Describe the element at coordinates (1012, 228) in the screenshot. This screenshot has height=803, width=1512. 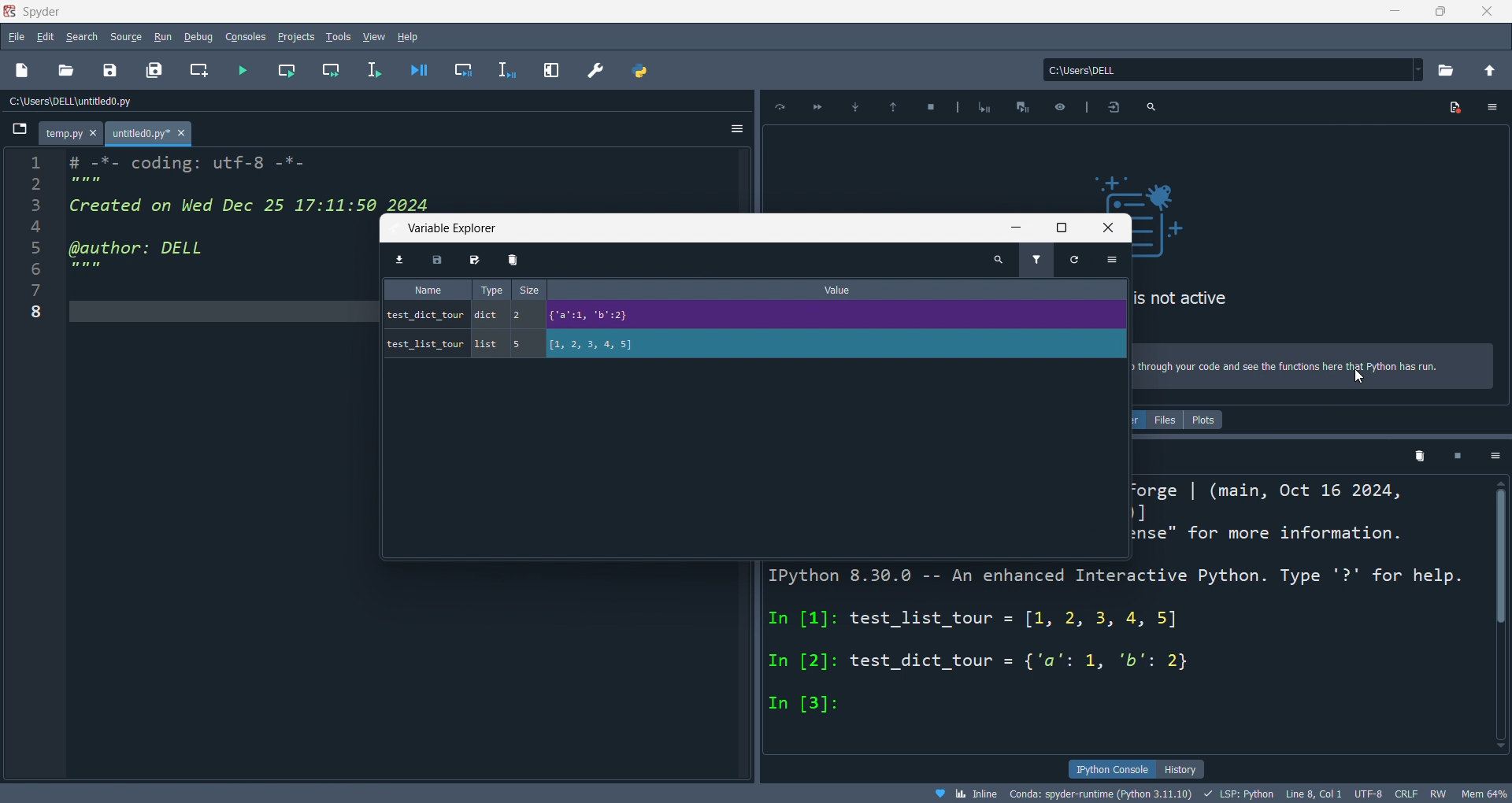
I see `minimize` at that location.